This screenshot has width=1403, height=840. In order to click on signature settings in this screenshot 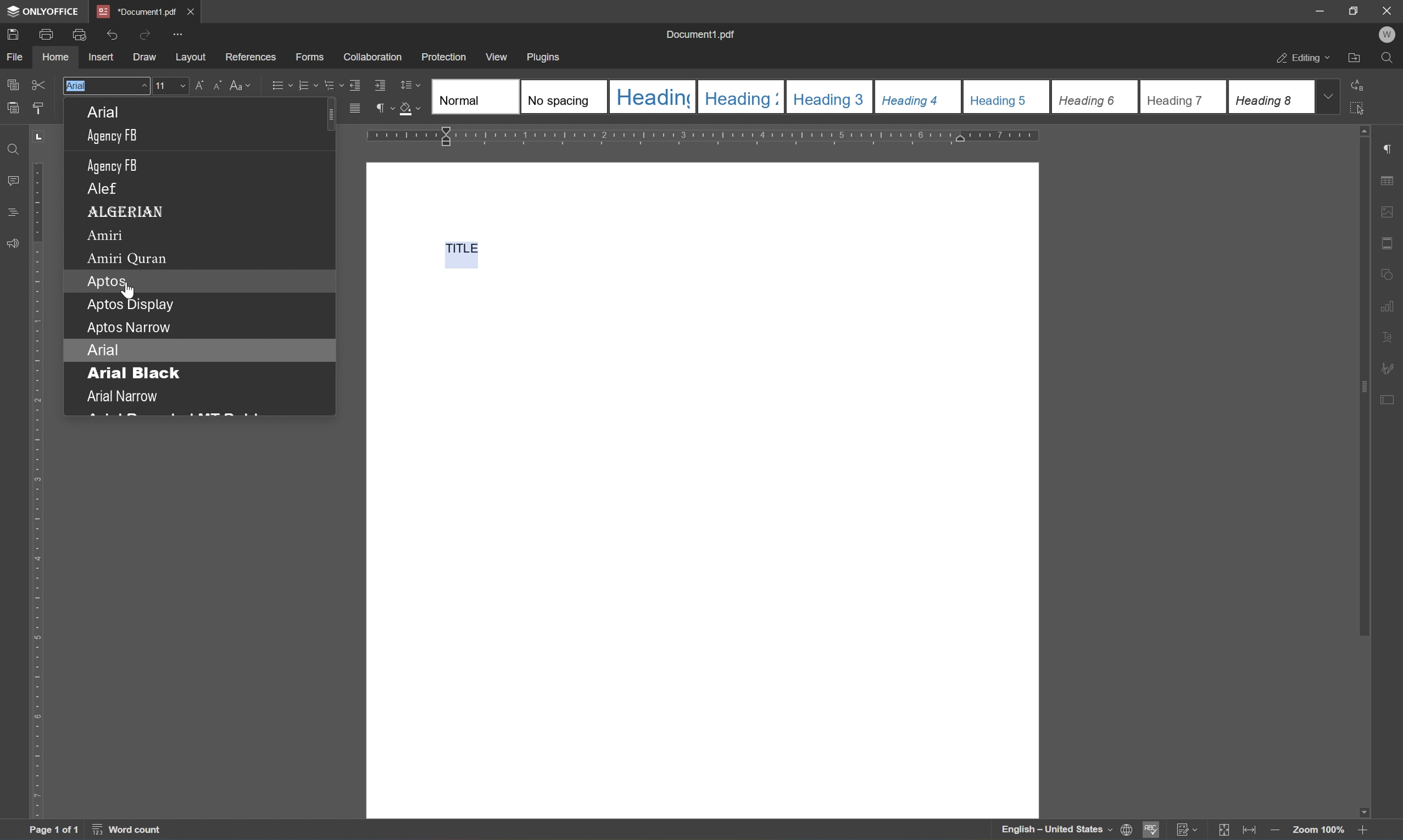, I will do `click(1388, 368)`.